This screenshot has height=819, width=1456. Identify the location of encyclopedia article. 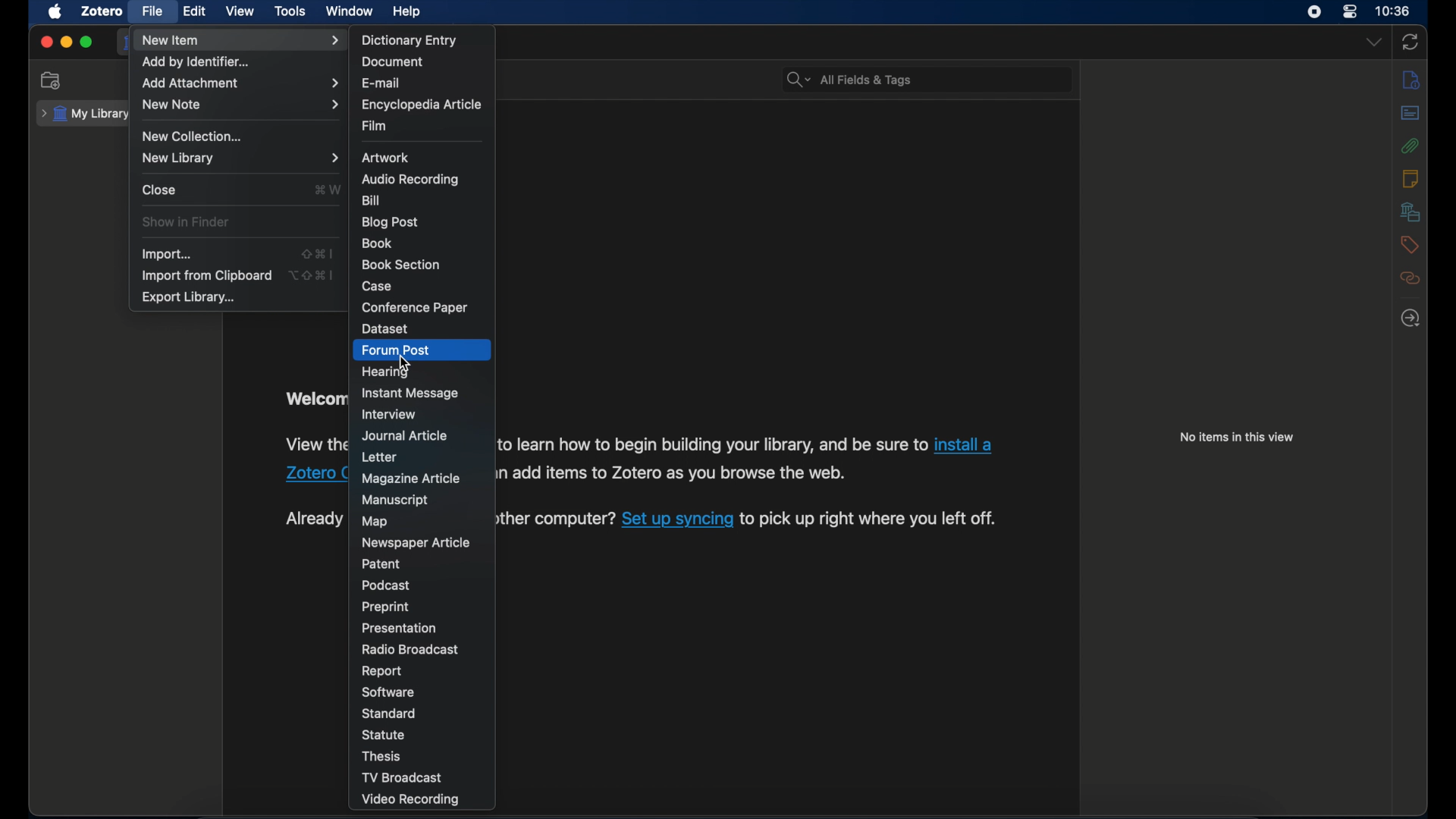
(420, 105).